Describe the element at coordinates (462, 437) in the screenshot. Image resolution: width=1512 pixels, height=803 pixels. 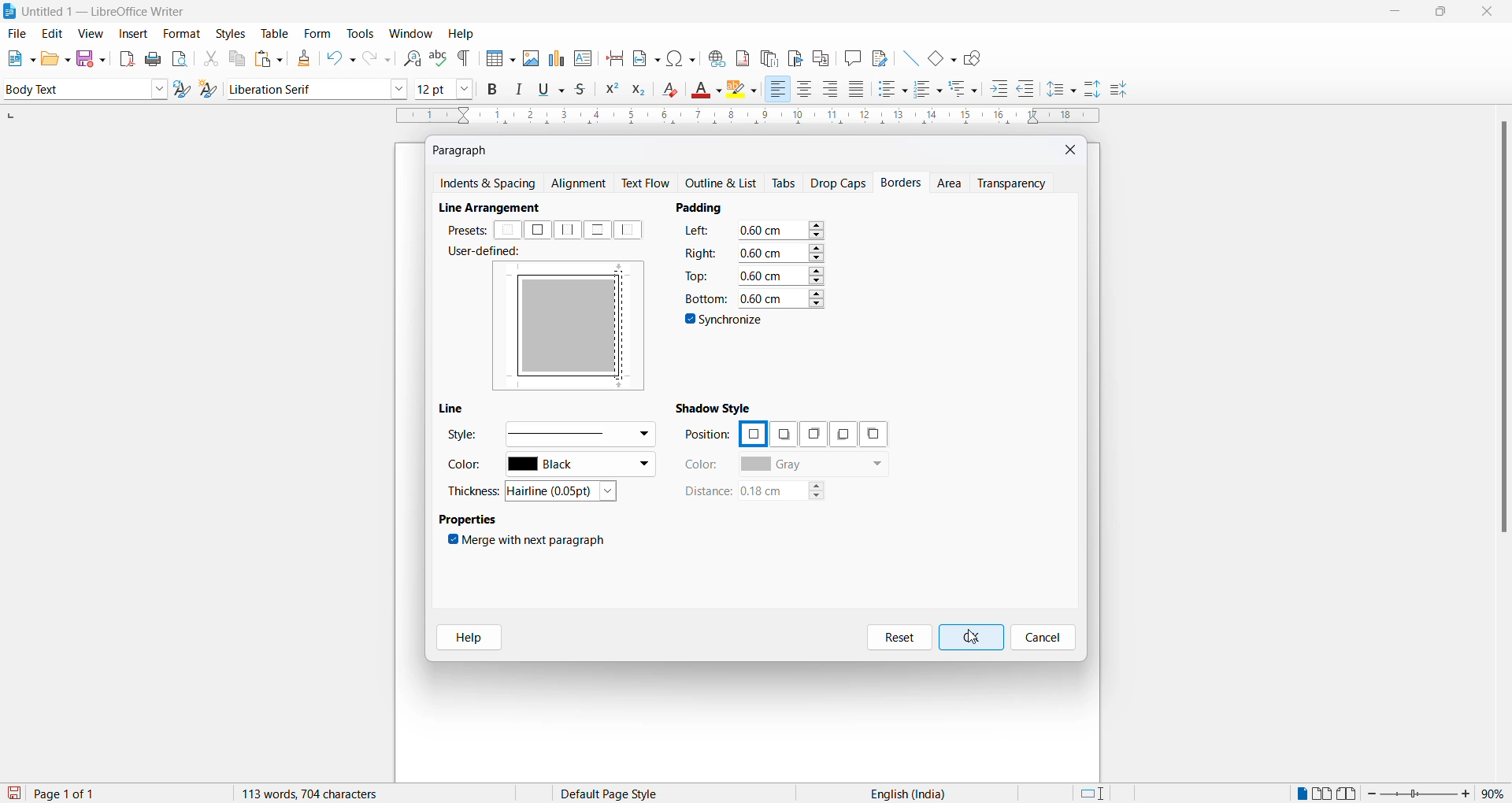
I see `syle` at that location.